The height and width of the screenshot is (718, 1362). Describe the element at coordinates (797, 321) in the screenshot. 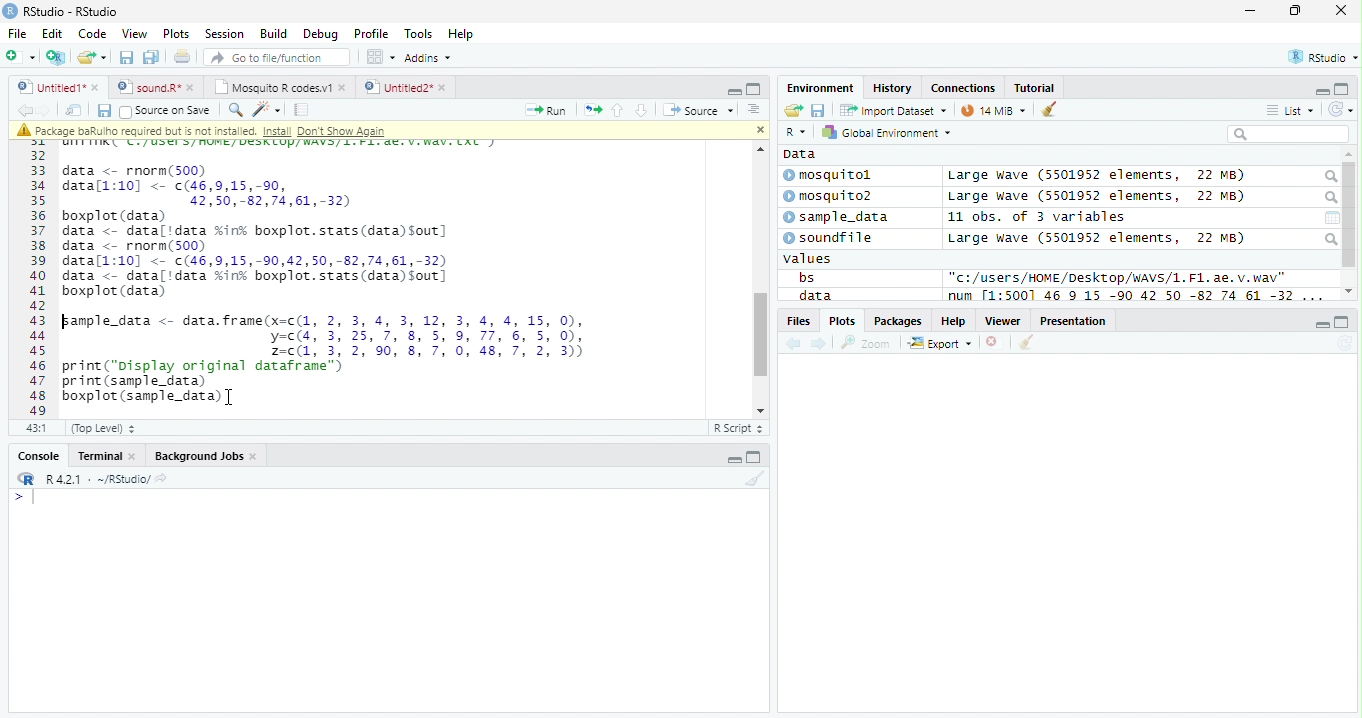

I see `Files` at that location.